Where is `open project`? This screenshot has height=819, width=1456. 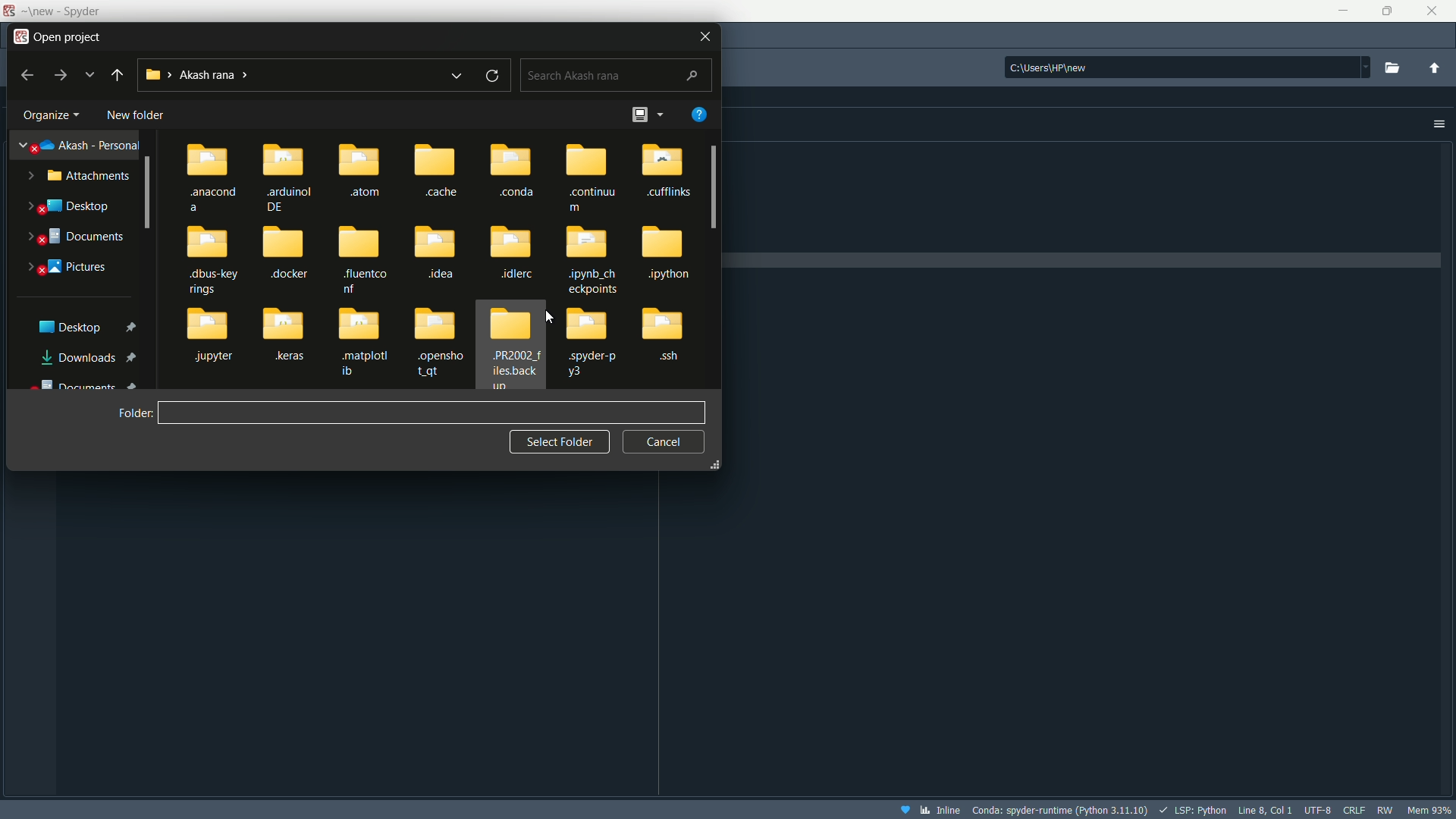 open project is located at coordinates (71, 37).